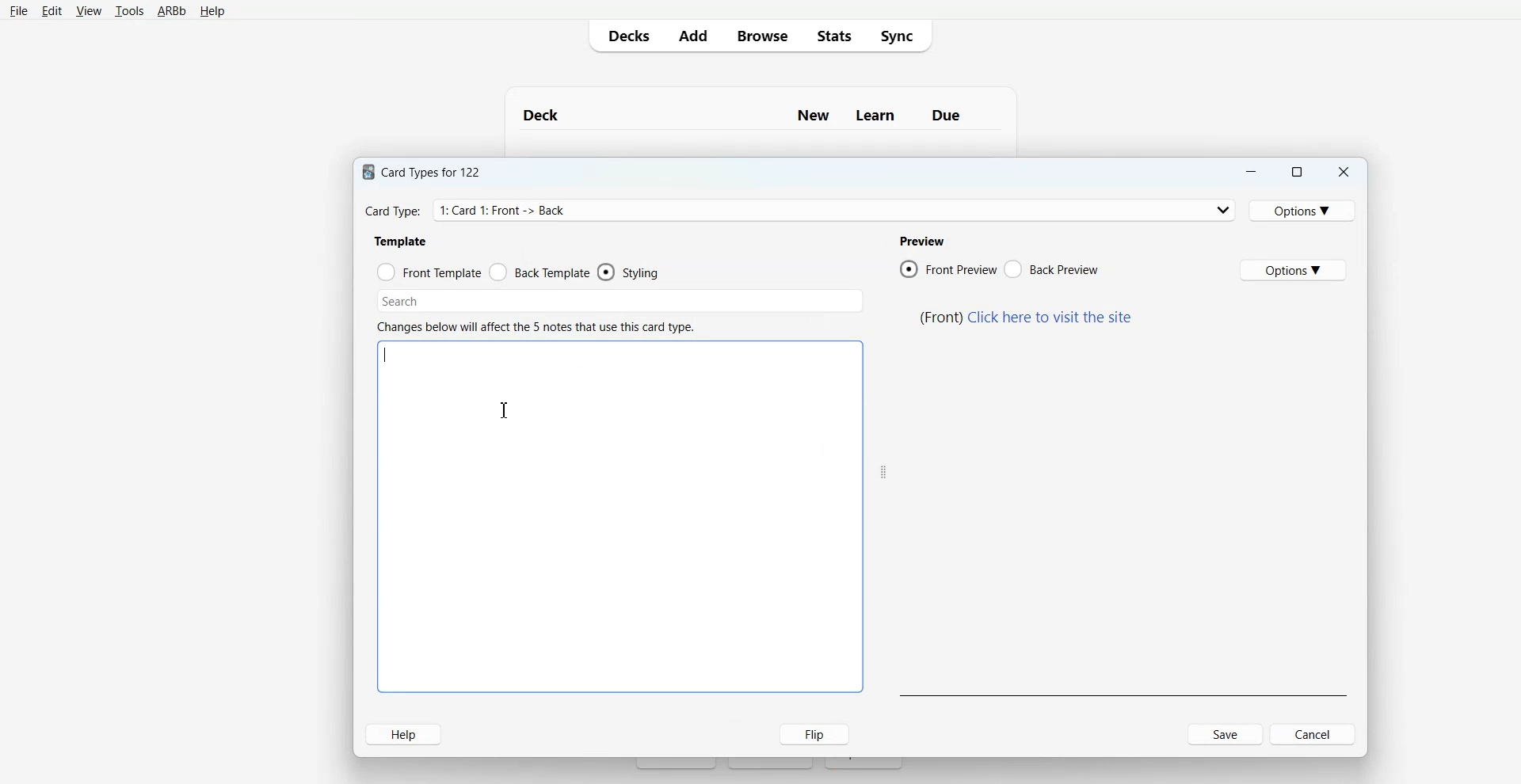  I want to click on Front Template, so click(540, 272).